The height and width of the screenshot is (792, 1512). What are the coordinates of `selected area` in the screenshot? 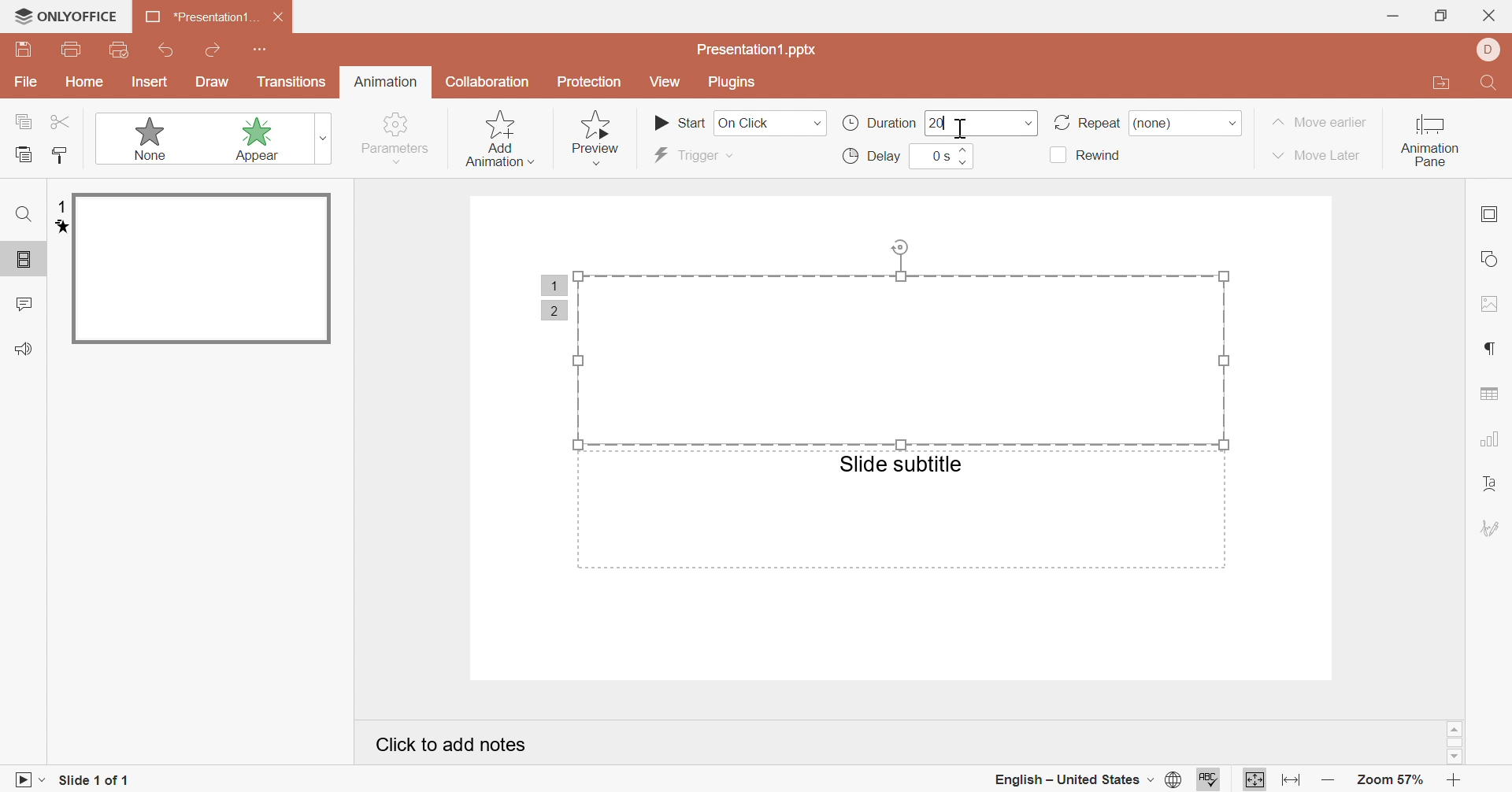 It's located at (900, 339).